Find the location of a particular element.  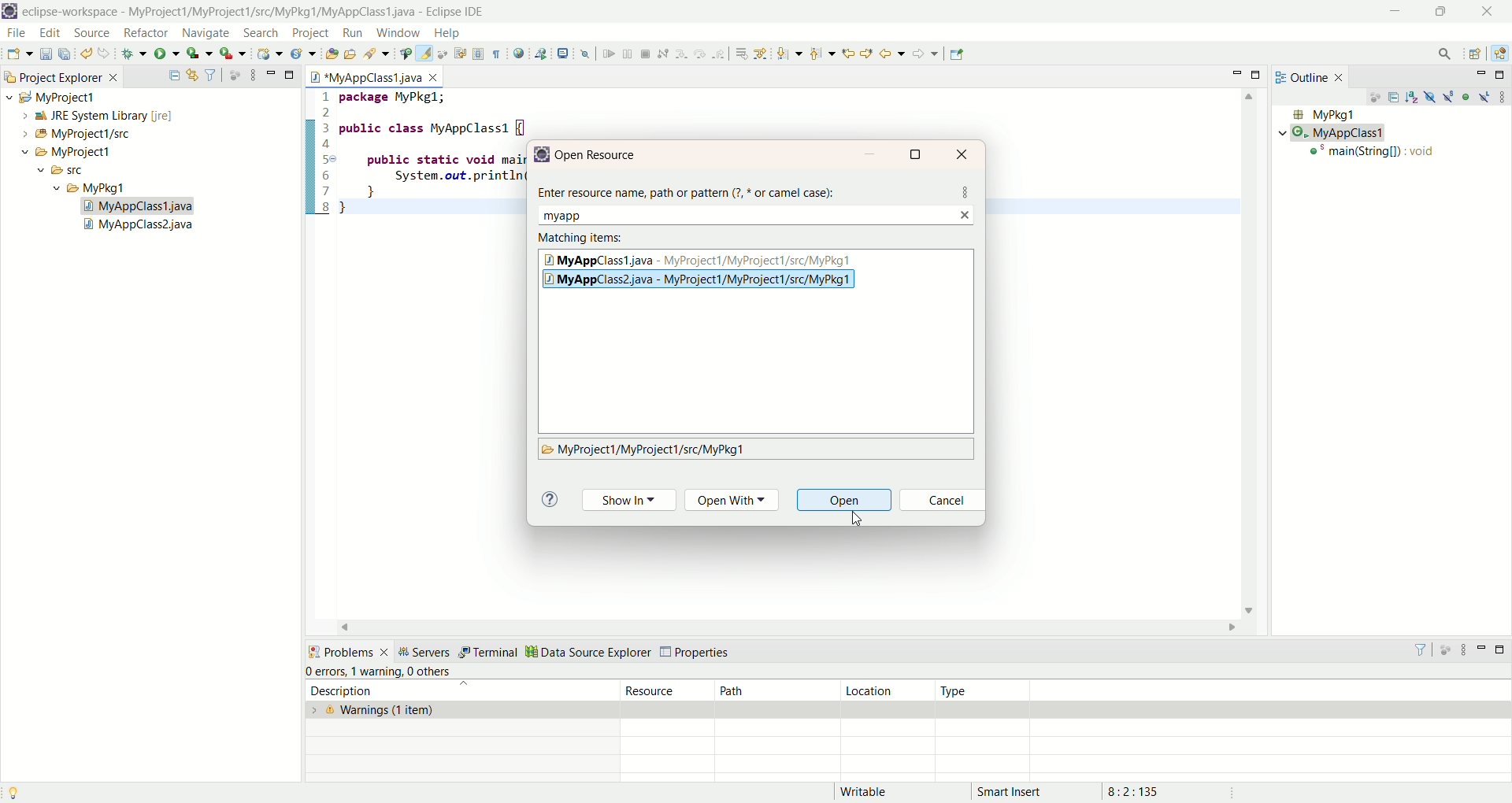

hide non-public member is located at coordinates (1467, 96).